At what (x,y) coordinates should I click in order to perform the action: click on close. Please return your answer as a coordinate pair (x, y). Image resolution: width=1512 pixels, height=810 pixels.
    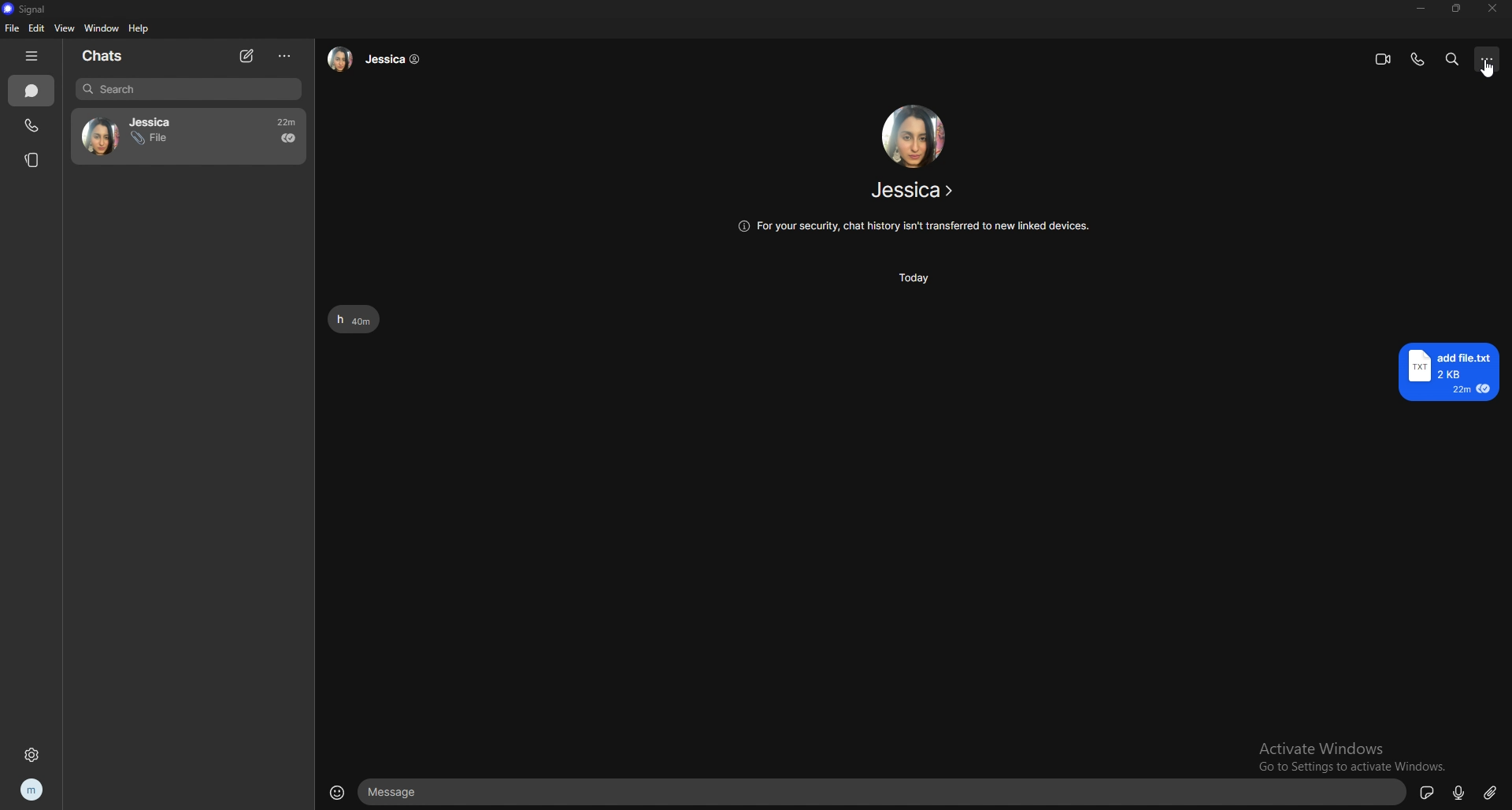
    Looking at the image, I should click on (1492, 9).